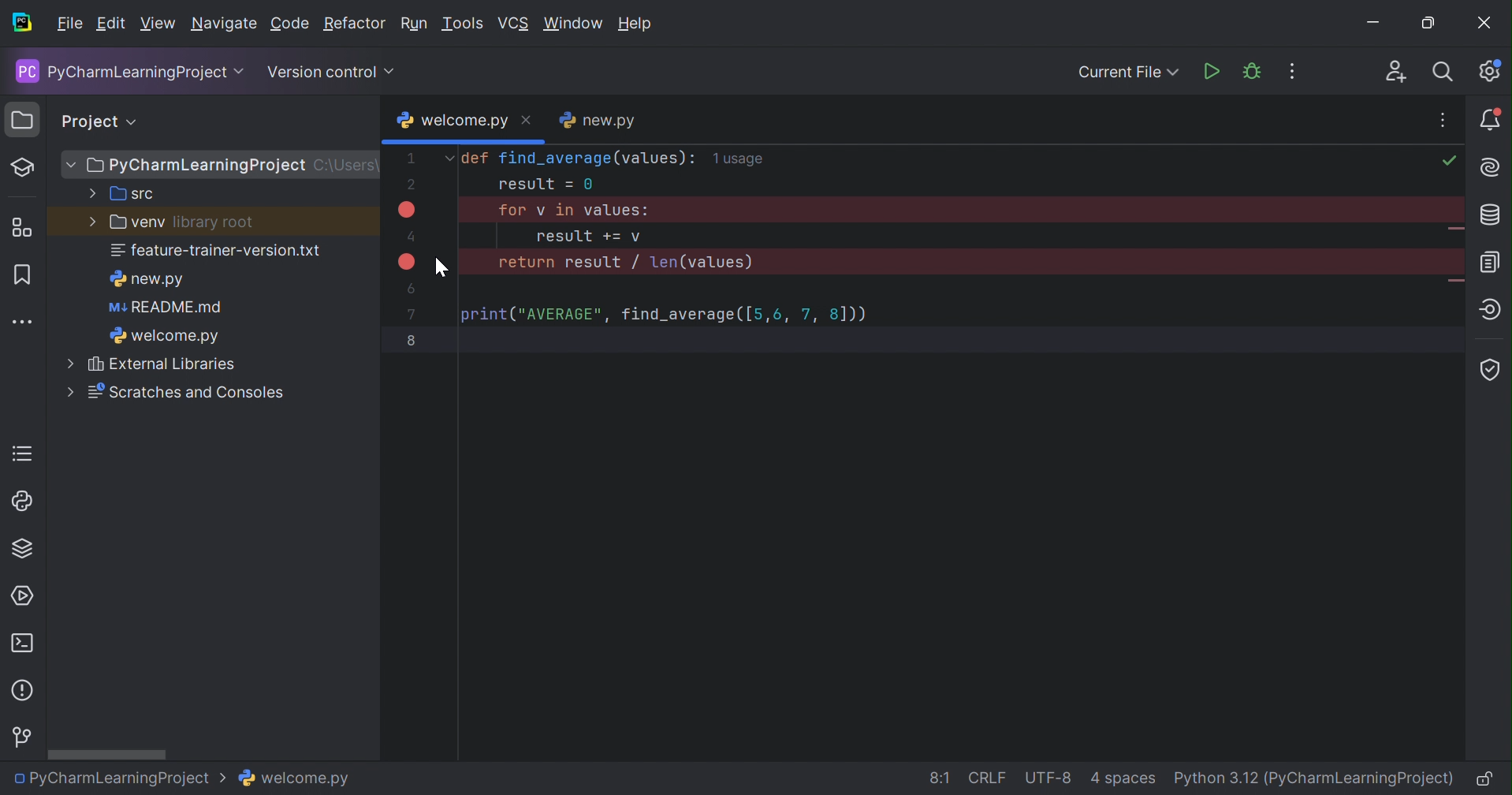 The width and height of the screenshot is (1512, 795). I want to click on welcome.py, so click(297, 781).